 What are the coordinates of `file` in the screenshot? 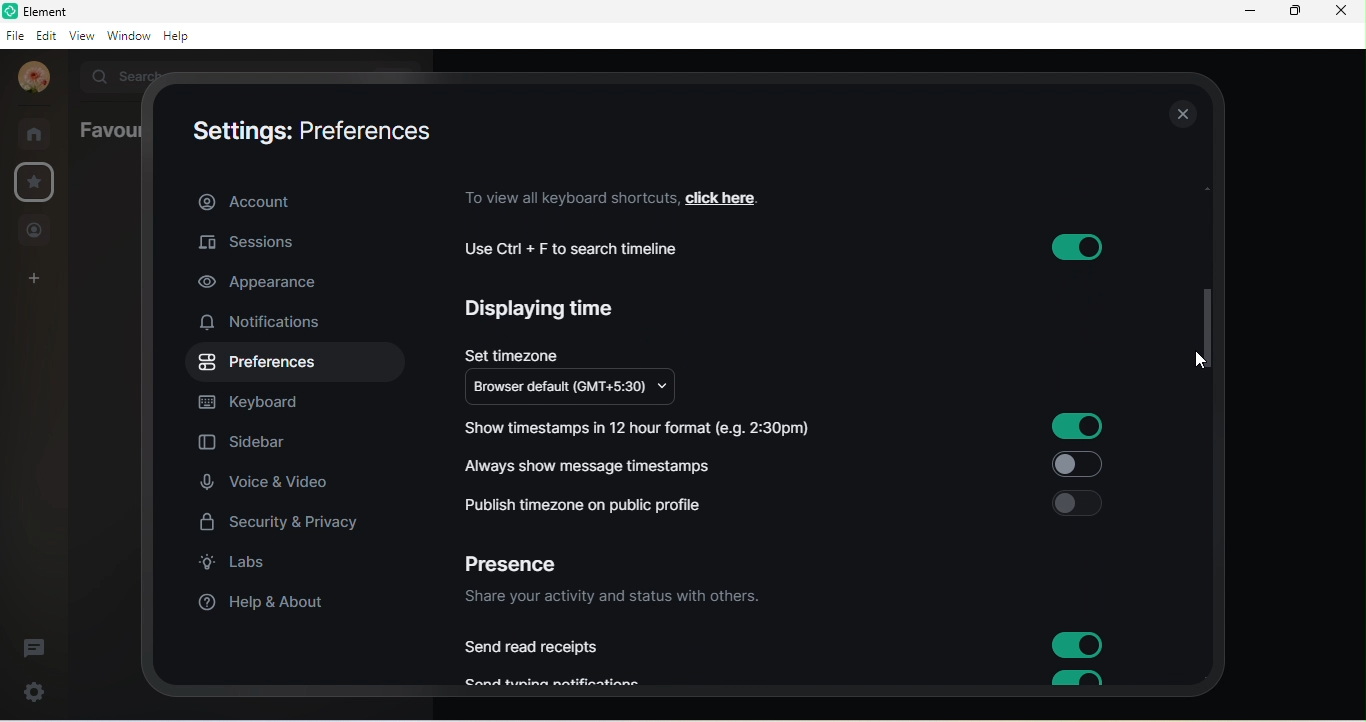 It's located at (14, 35).